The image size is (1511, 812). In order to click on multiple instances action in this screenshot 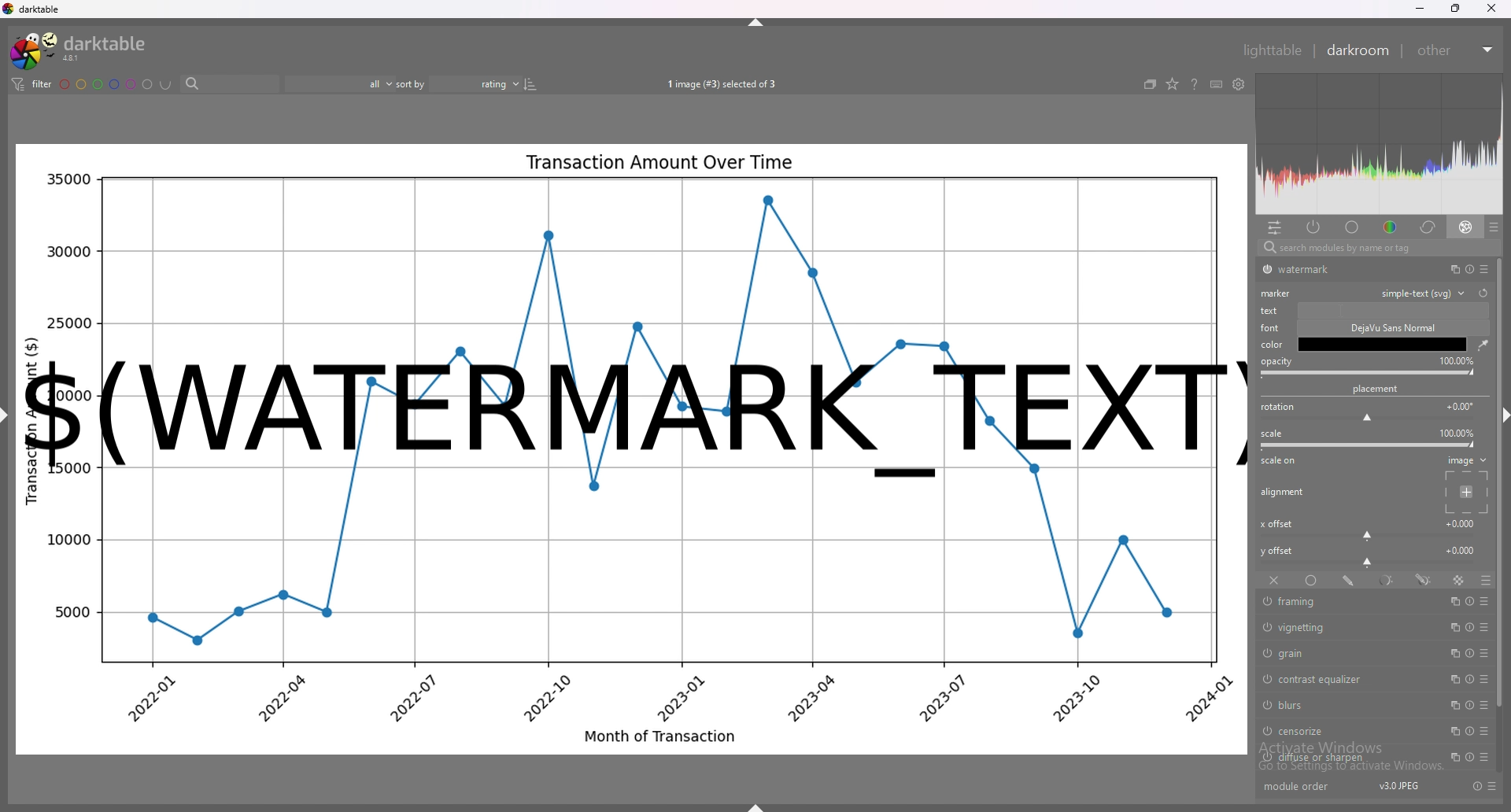, I will do `click(1450, 731)`.